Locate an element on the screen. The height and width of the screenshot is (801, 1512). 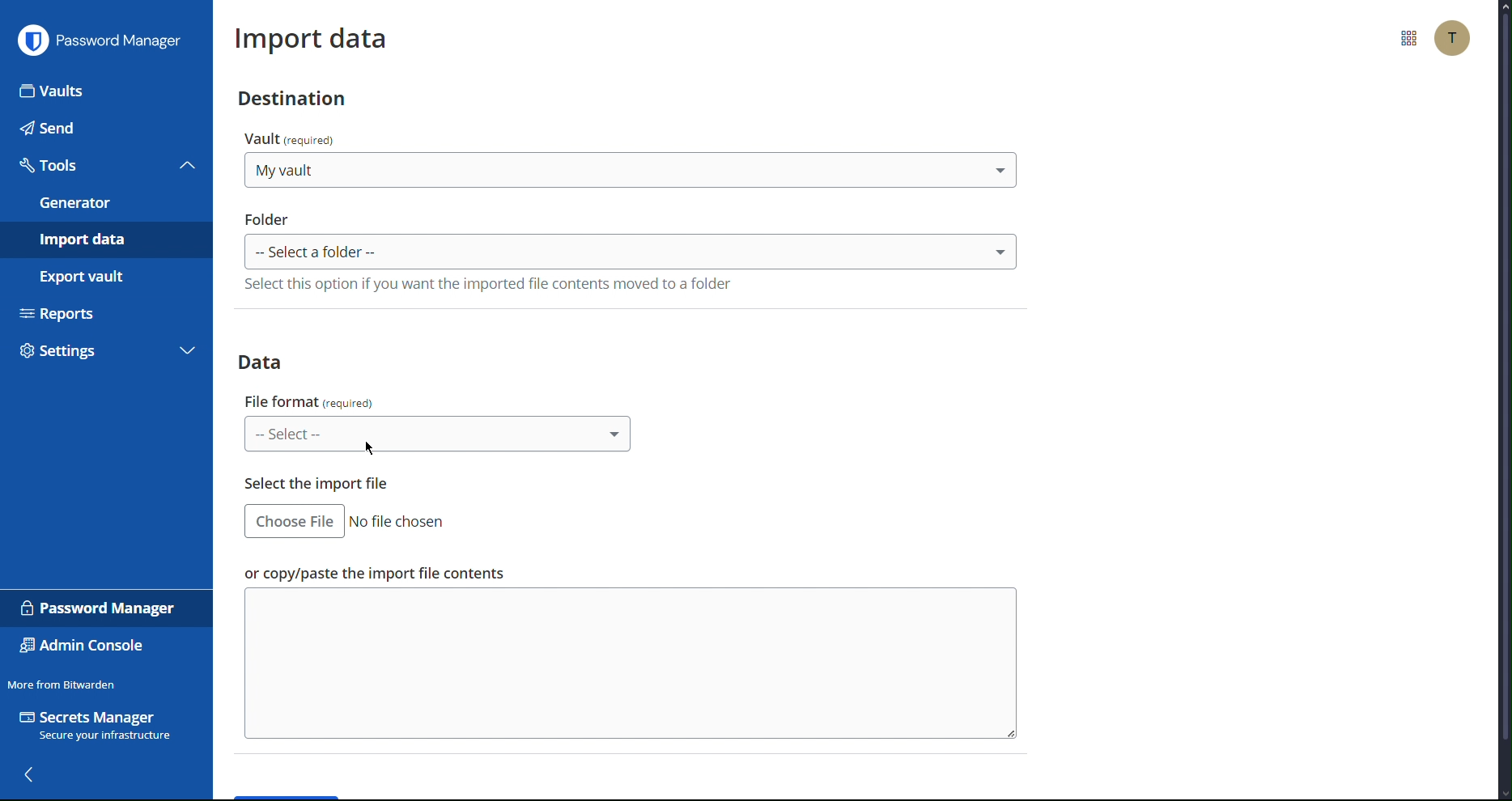
Secrets Manager is located at coordinates (99, 727).